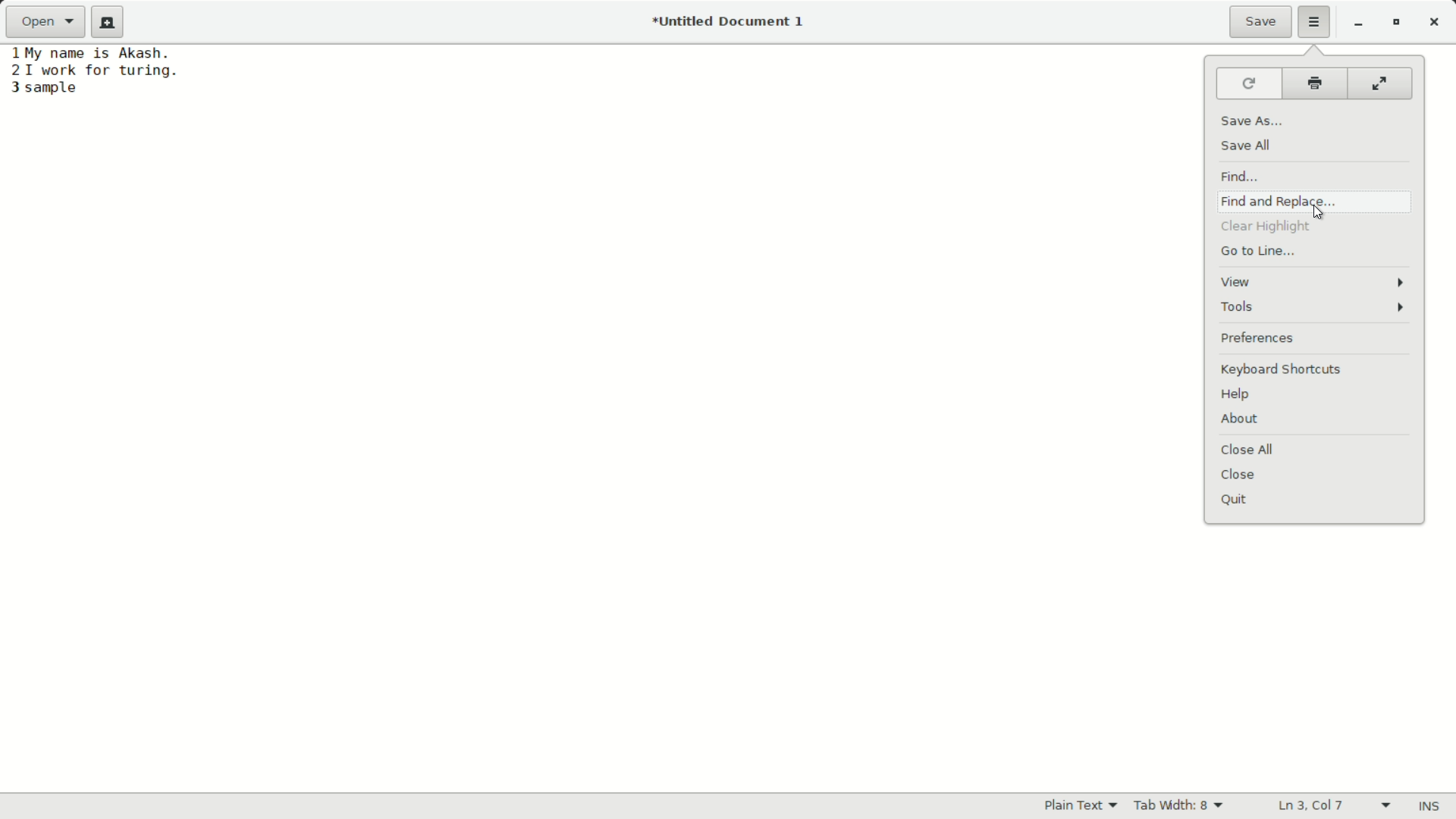 Image resolution: width=1456 pixels, height=819 pixels. What do you see at coordinates (1395, 23) in the screenshot?
I see `maximize or restore` at bounding box center [1395, 23].